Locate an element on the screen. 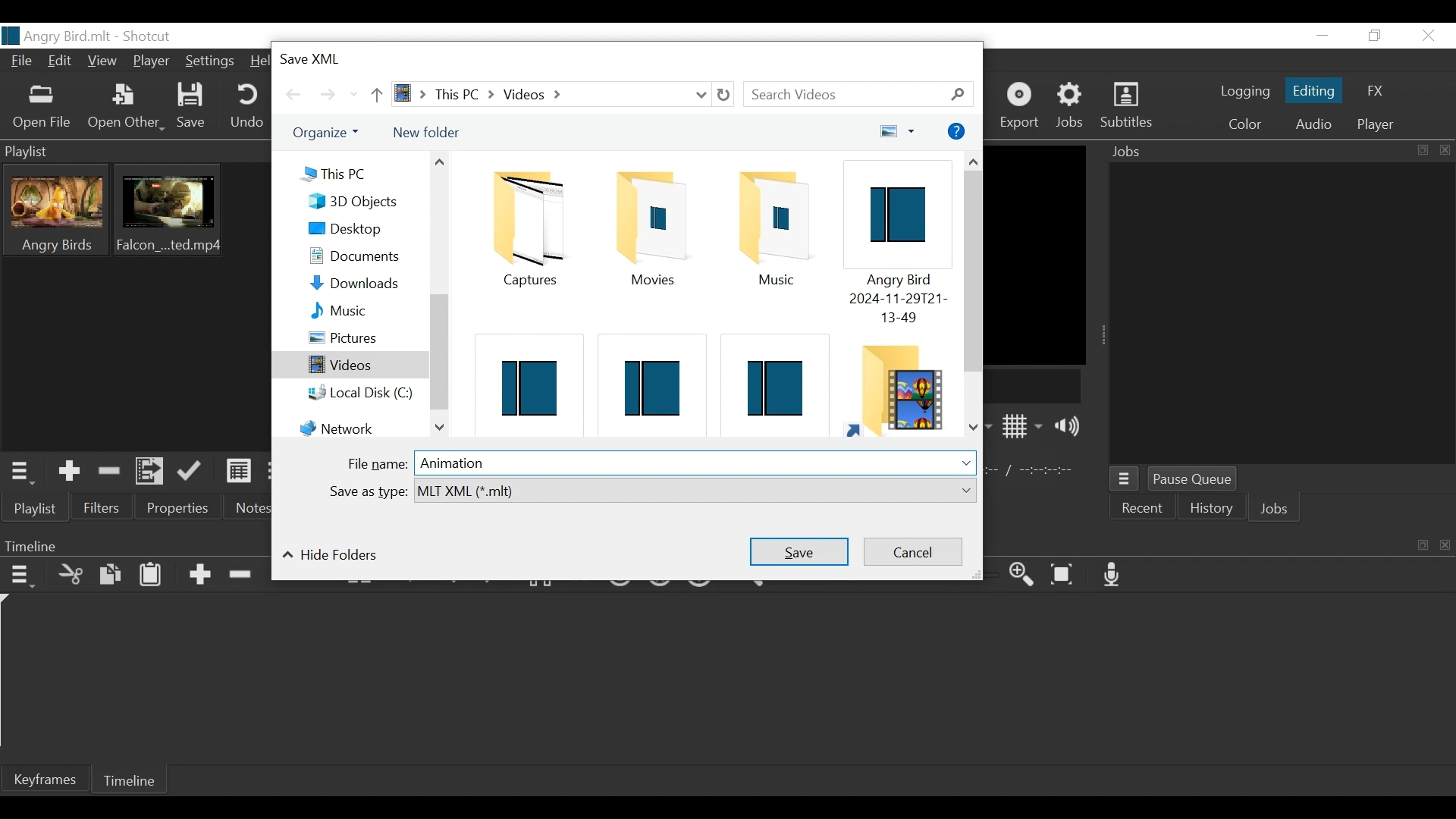  Record audio is located at coordinates (1112, 575).